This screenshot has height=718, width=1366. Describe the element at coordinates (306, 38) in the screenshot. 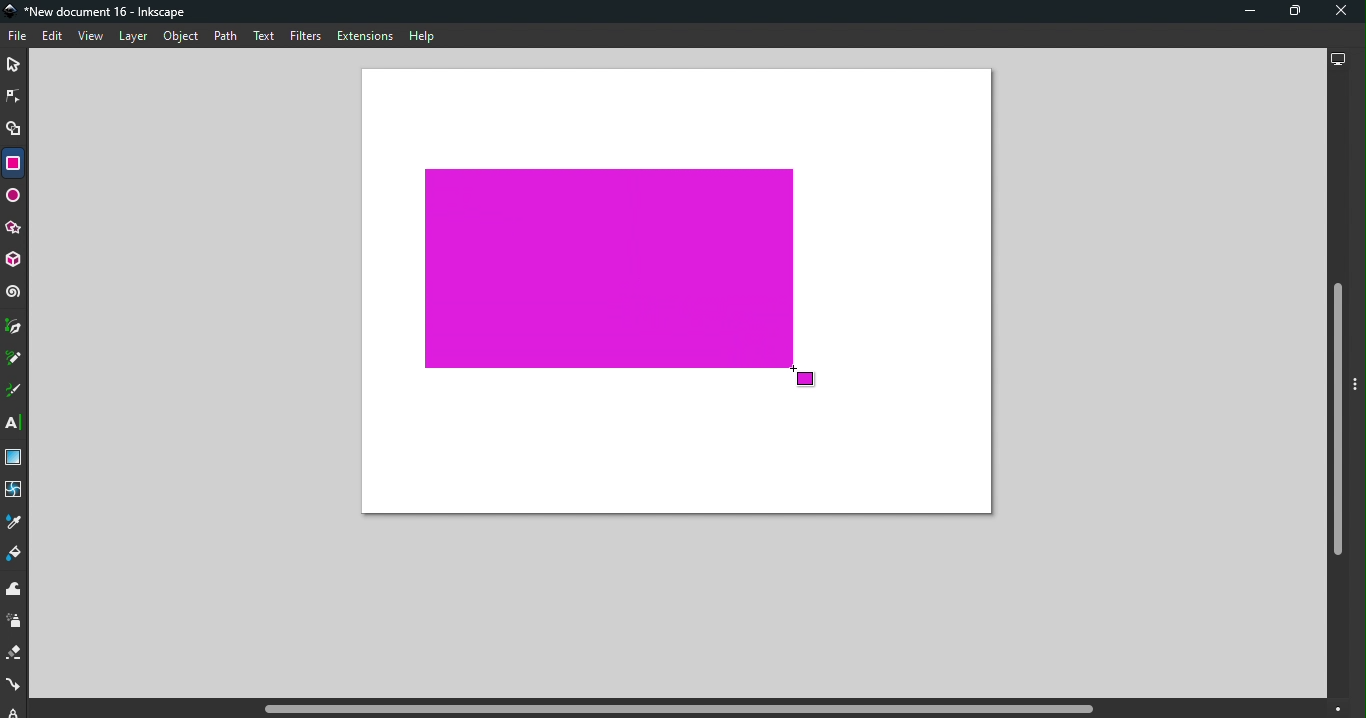

I see `Filters` at that location.